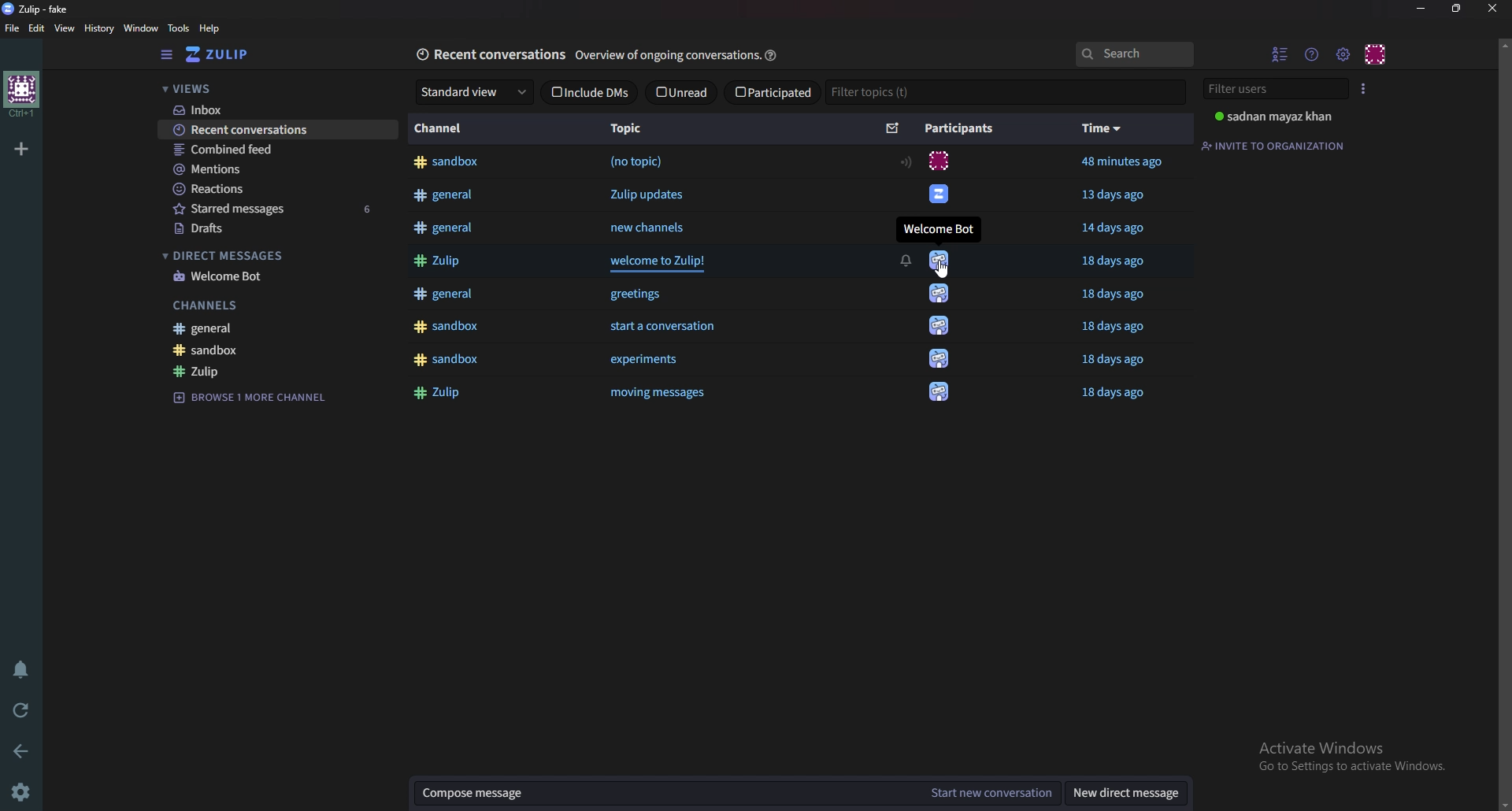 The height and width of the screenshot is (811, 1512). I want to click on Hide sidebar, so click(165, 55).